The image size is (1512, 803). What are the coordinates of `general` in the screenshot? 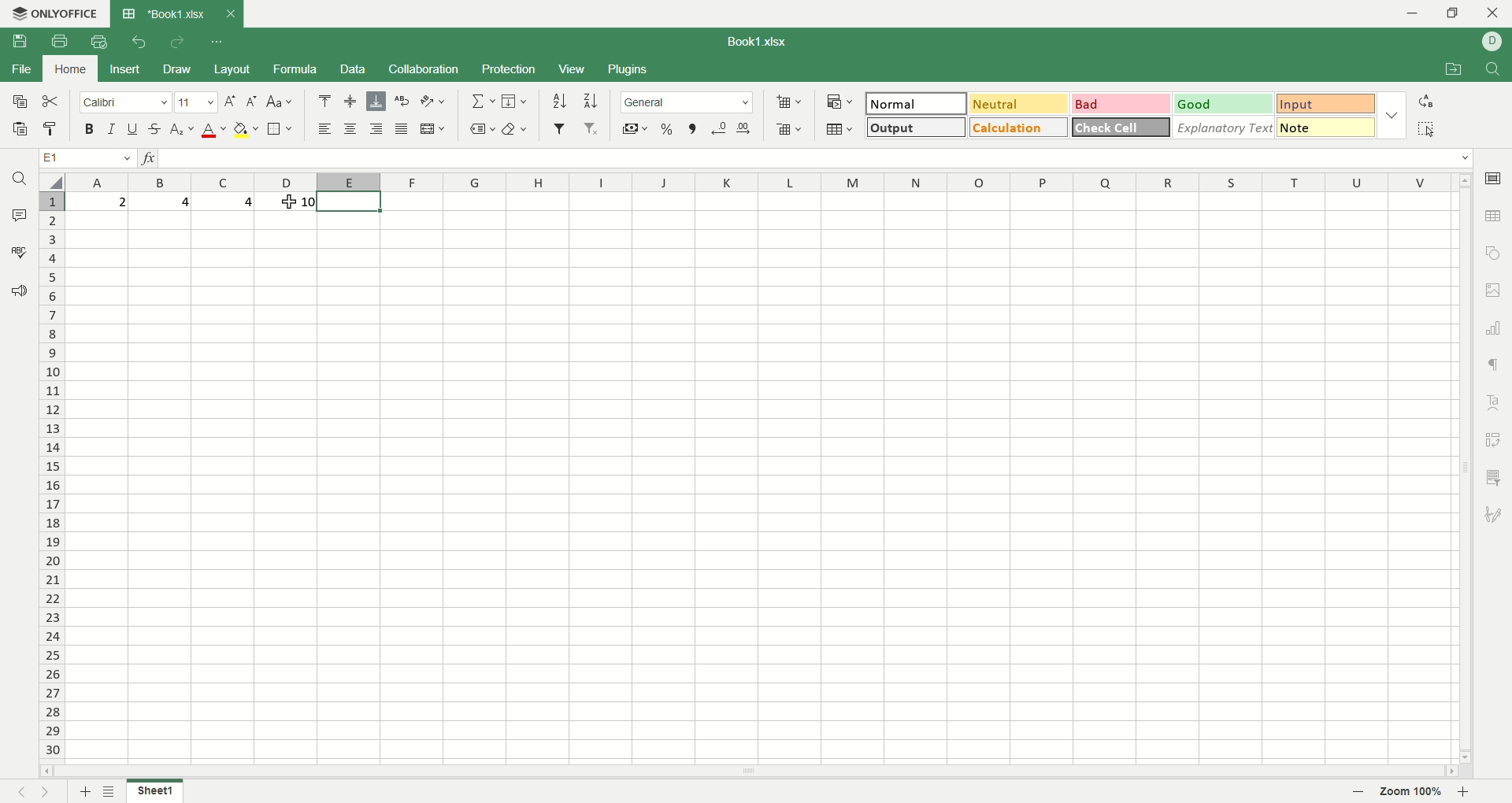 It's located at (689, 104).